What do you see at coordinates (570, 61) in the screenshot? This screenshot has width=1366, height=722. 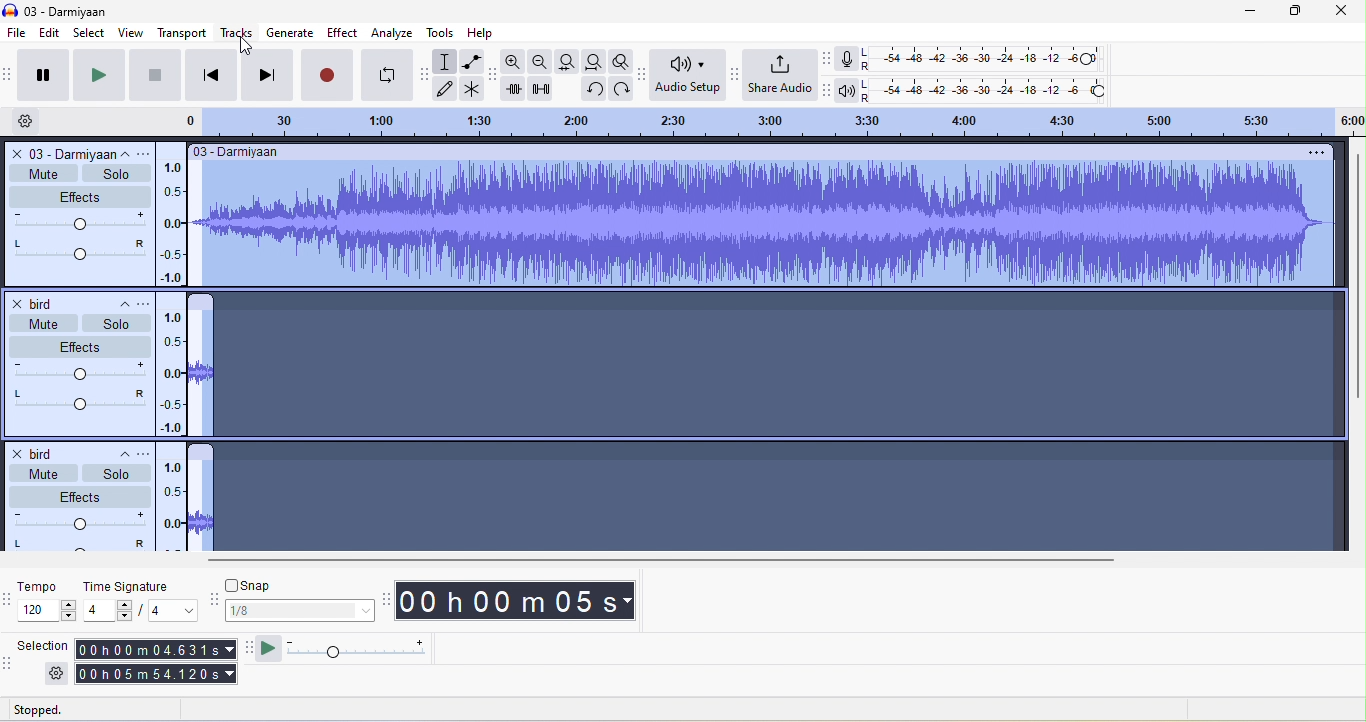 I see `file selection to width` at bounding box center [570, 61].